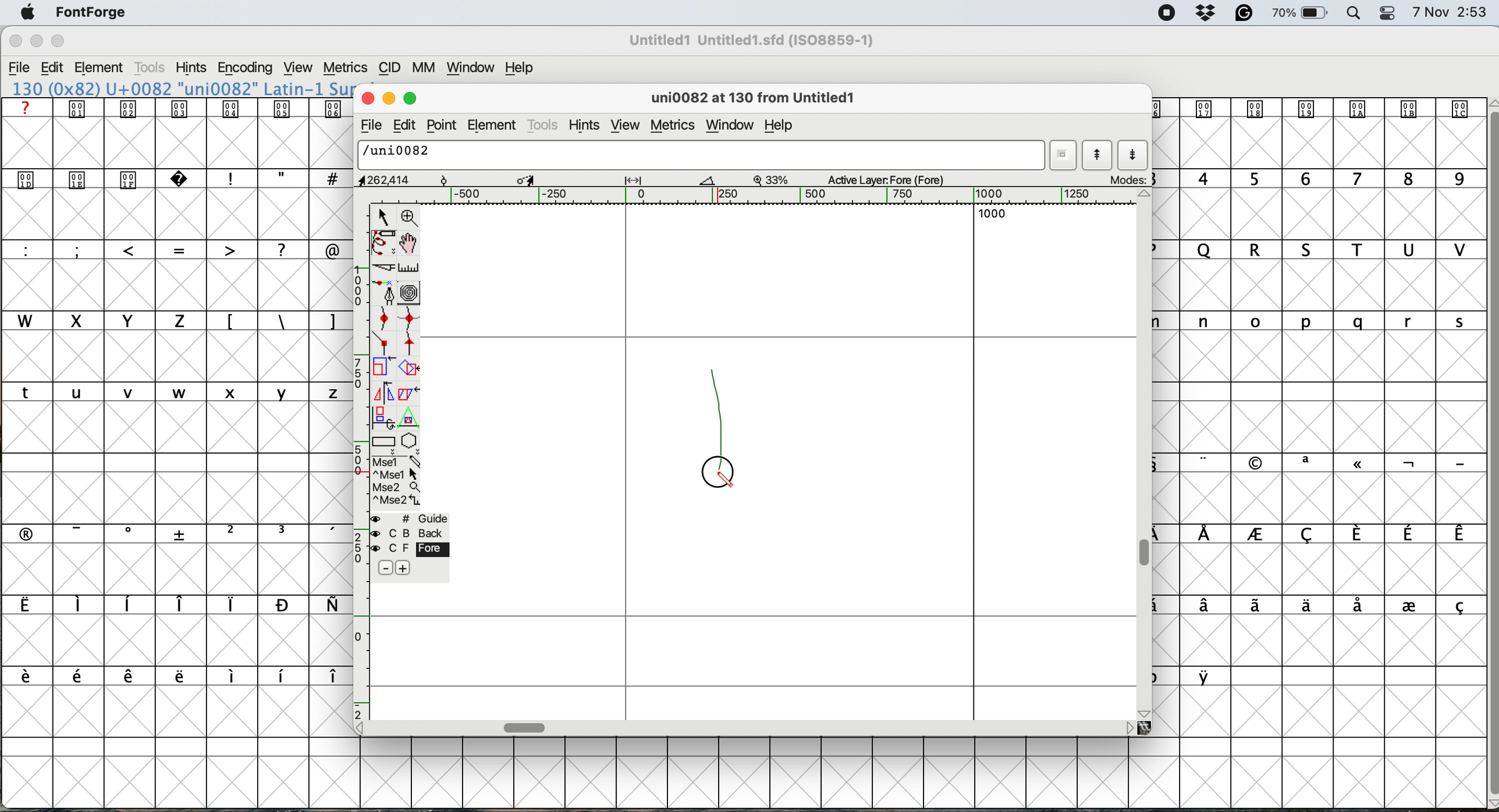 This screenshot has width=1499, height=812. Describe the element at coordinates (887, 181) in the screenshot. I see `active layers` at that location.